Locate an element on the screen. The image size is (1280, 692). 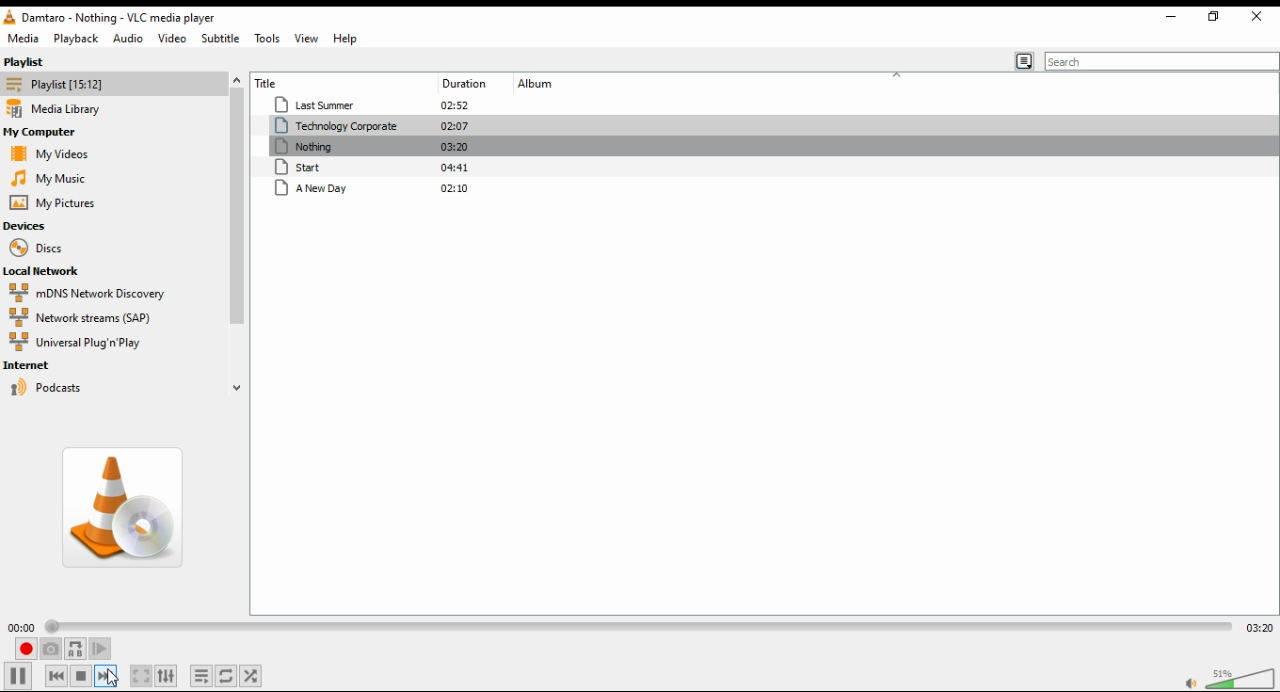
subtitle is located at coordinates (224, 39).